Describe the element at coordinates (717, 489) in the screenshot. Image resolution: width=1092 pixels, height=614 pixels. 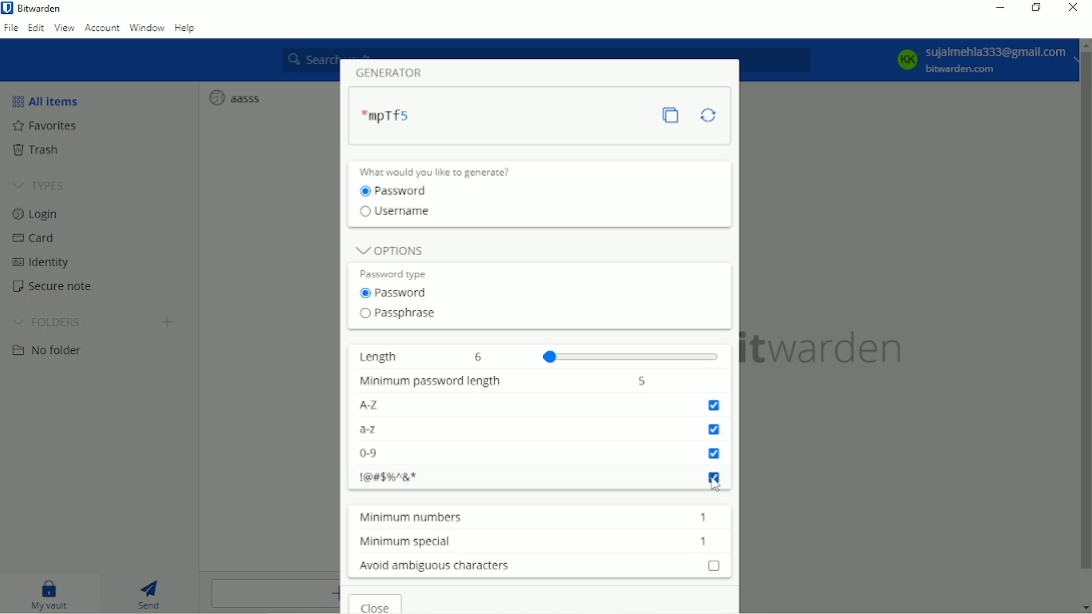
I see `cursor` at that location.